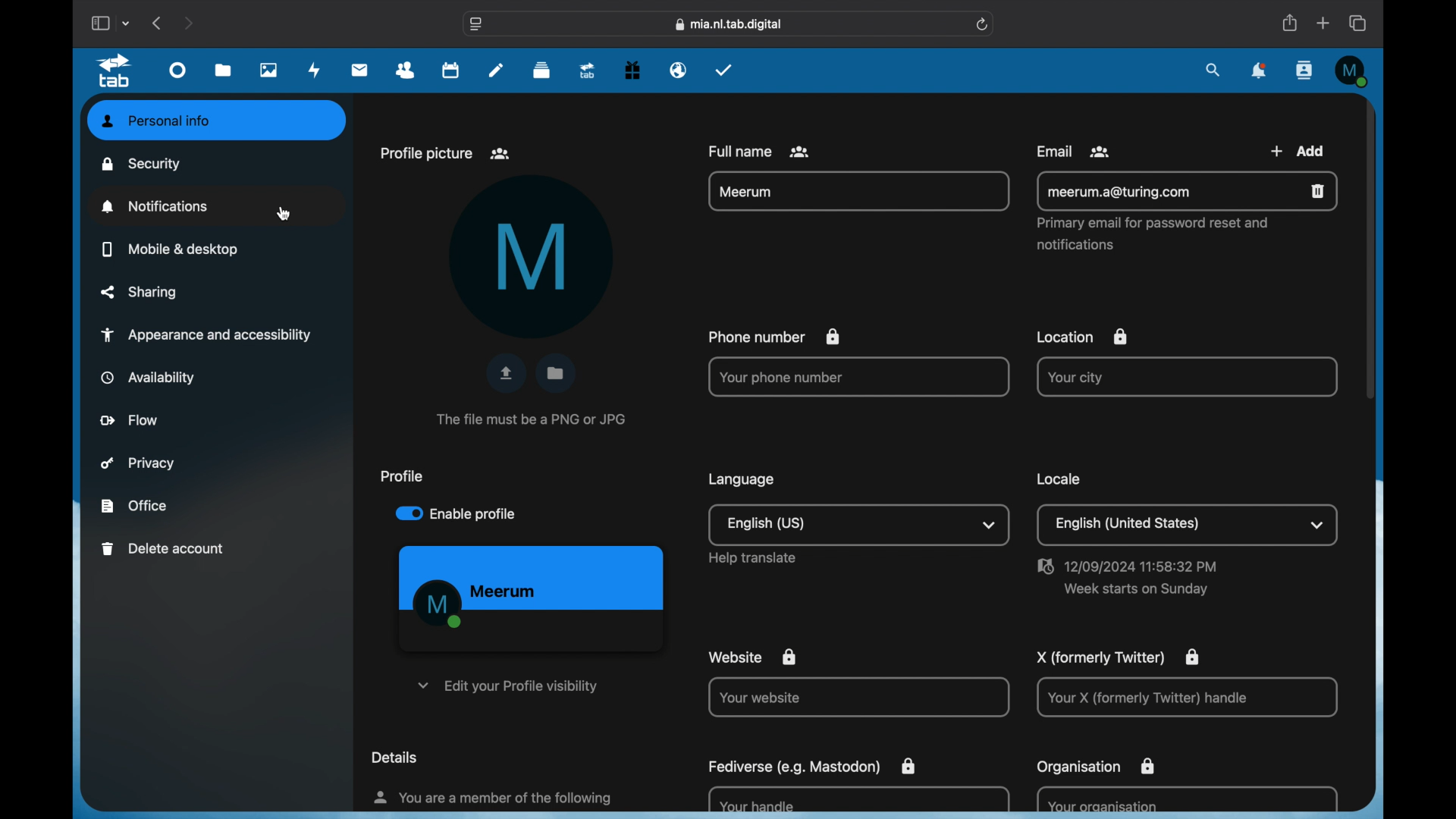  Describe the element at coordinates (991, 523) in the screenshot. I see `dropdown` at that location.